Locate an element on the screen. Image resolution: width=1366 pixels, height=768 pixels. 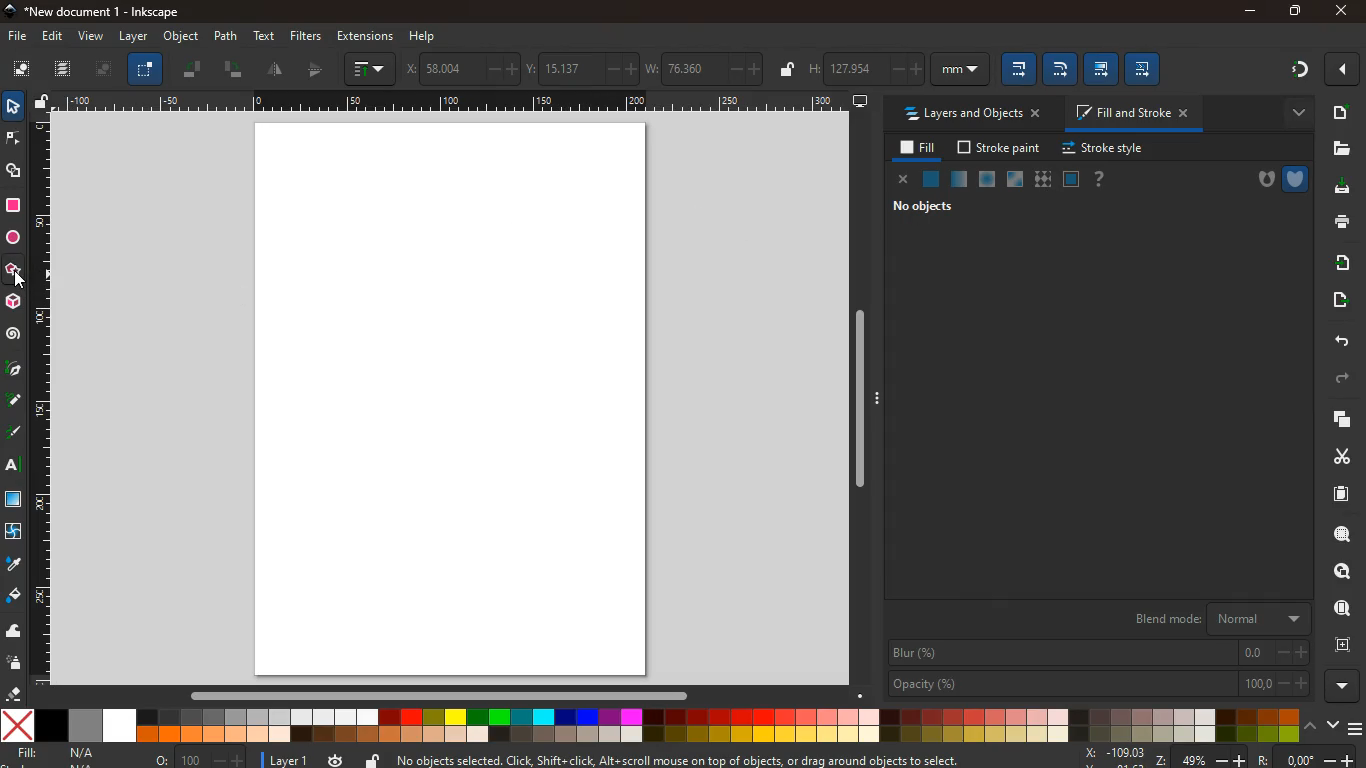
file is located at coordinates (19, 36).